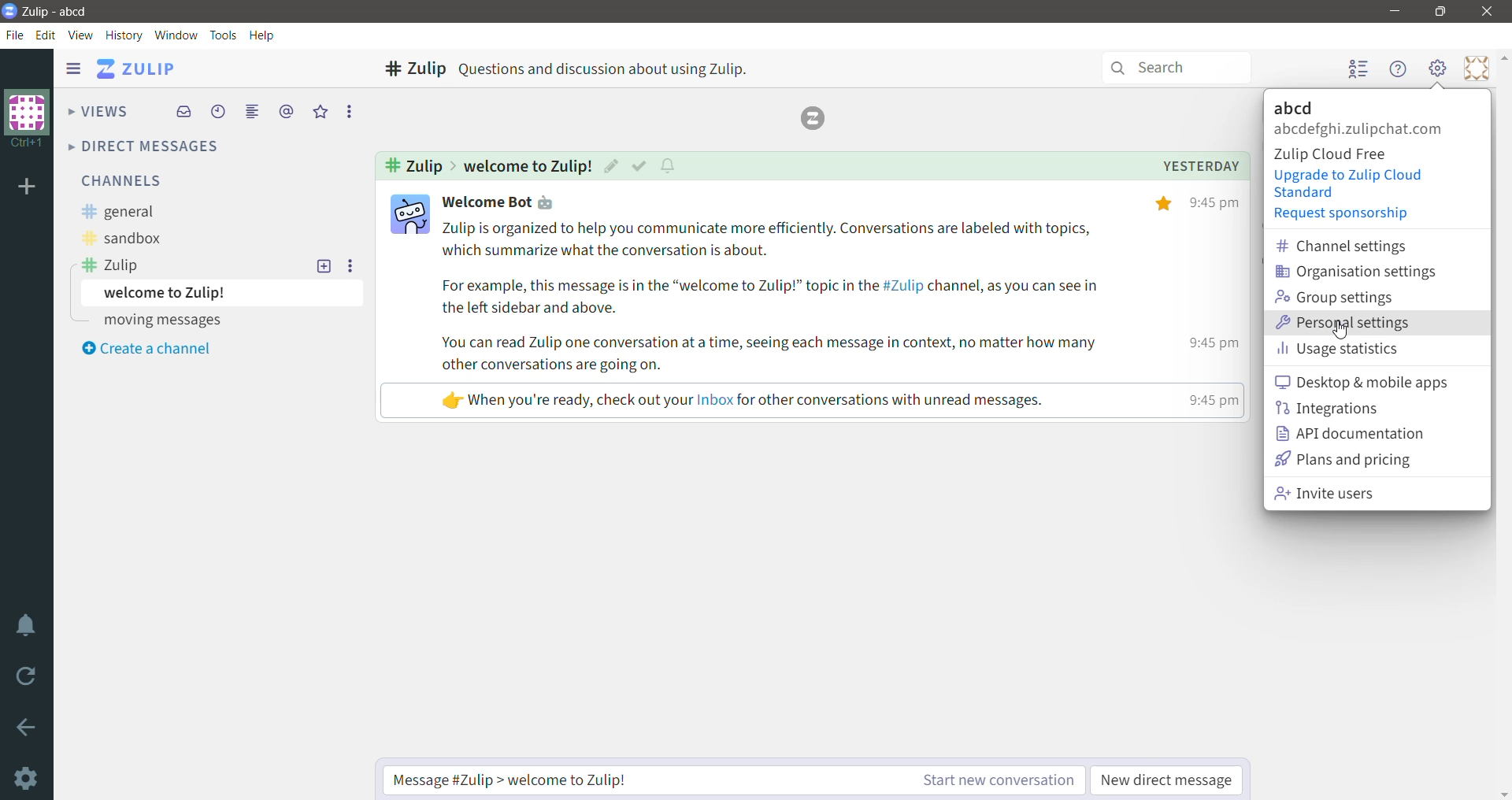 This screenshot has height=800, width=1512. Describe the element at coordinates (27, 728) in the screenshot. I see `Go back` at that location.